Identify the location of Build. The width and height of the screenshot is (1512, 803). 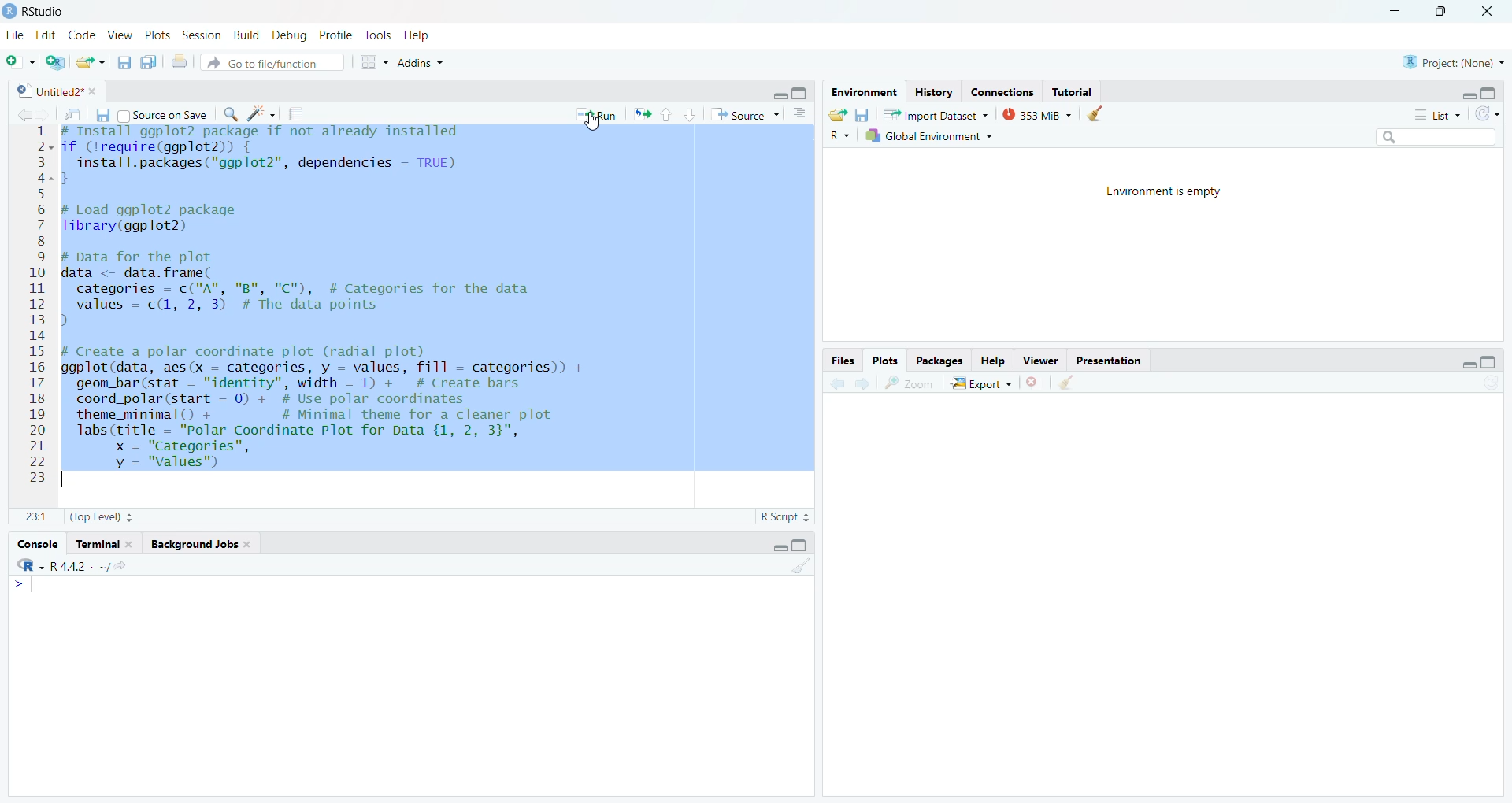
(245, 35).